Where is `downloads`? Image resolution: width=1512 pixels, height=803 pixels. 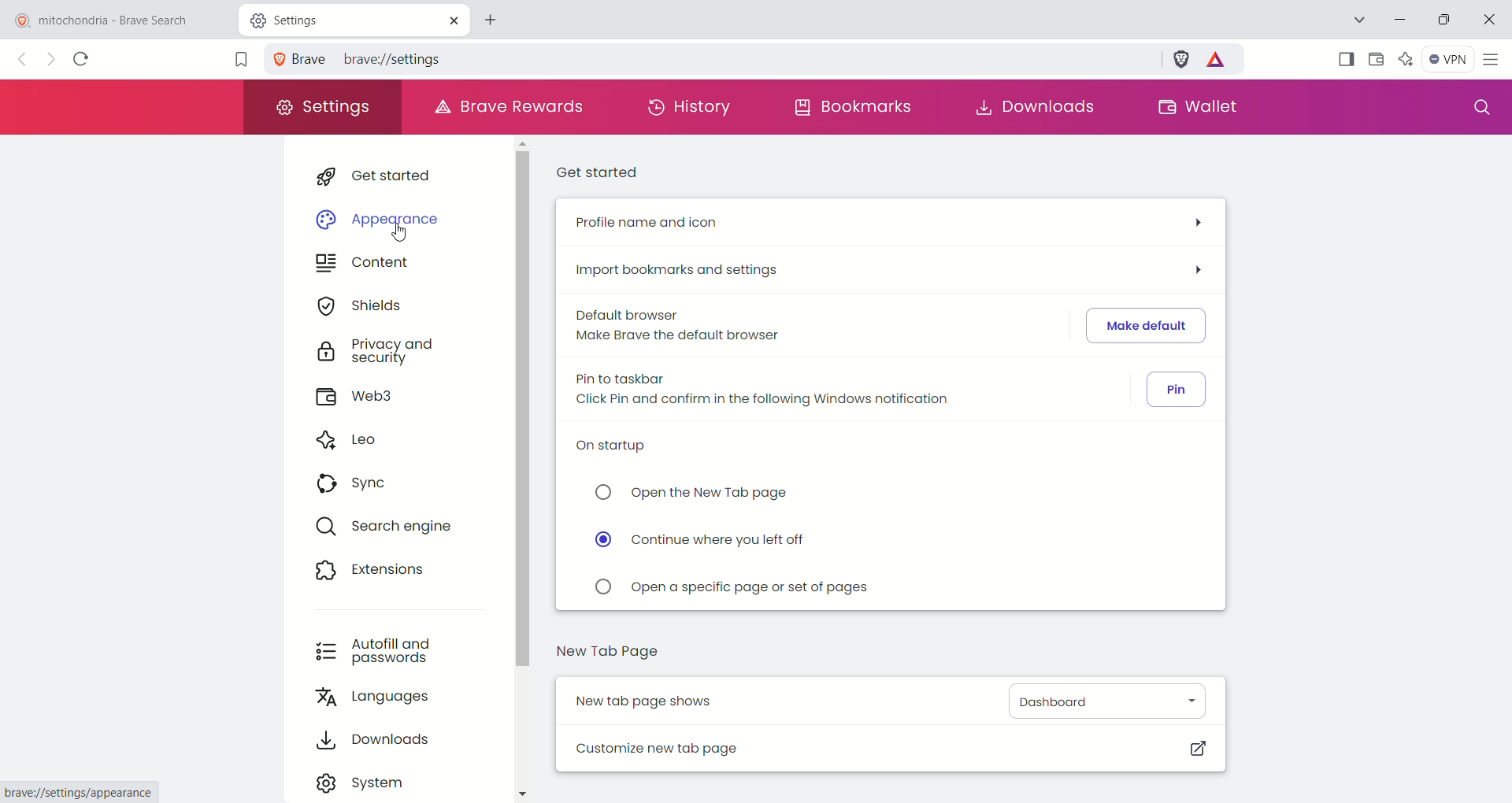 downloads is located at coordinates (375, 740).